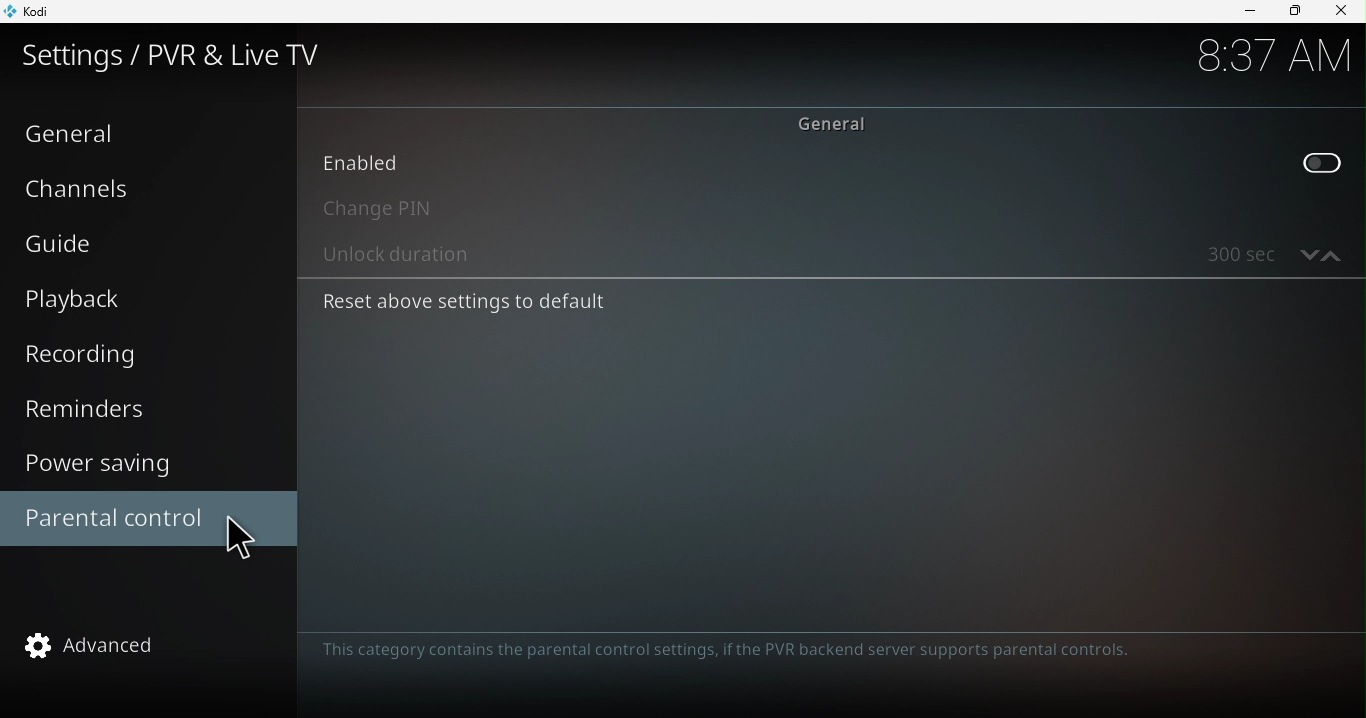  What do you see at coordinates (84, 187) in the screenshot?
I see `Channels` at bounding box center [84, 187].